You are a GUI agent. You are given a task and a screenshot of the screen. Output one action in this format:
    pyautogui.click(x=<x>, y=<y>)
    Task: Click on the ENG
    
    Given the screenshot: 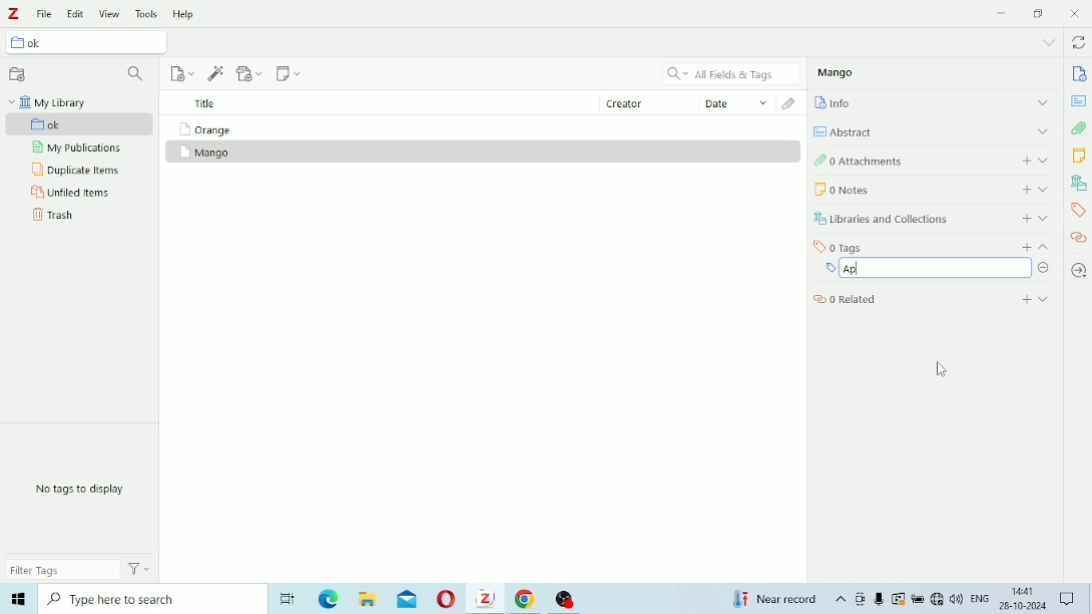 What is the action you would take?
    pyautogui.click(x=983, y=597)
    